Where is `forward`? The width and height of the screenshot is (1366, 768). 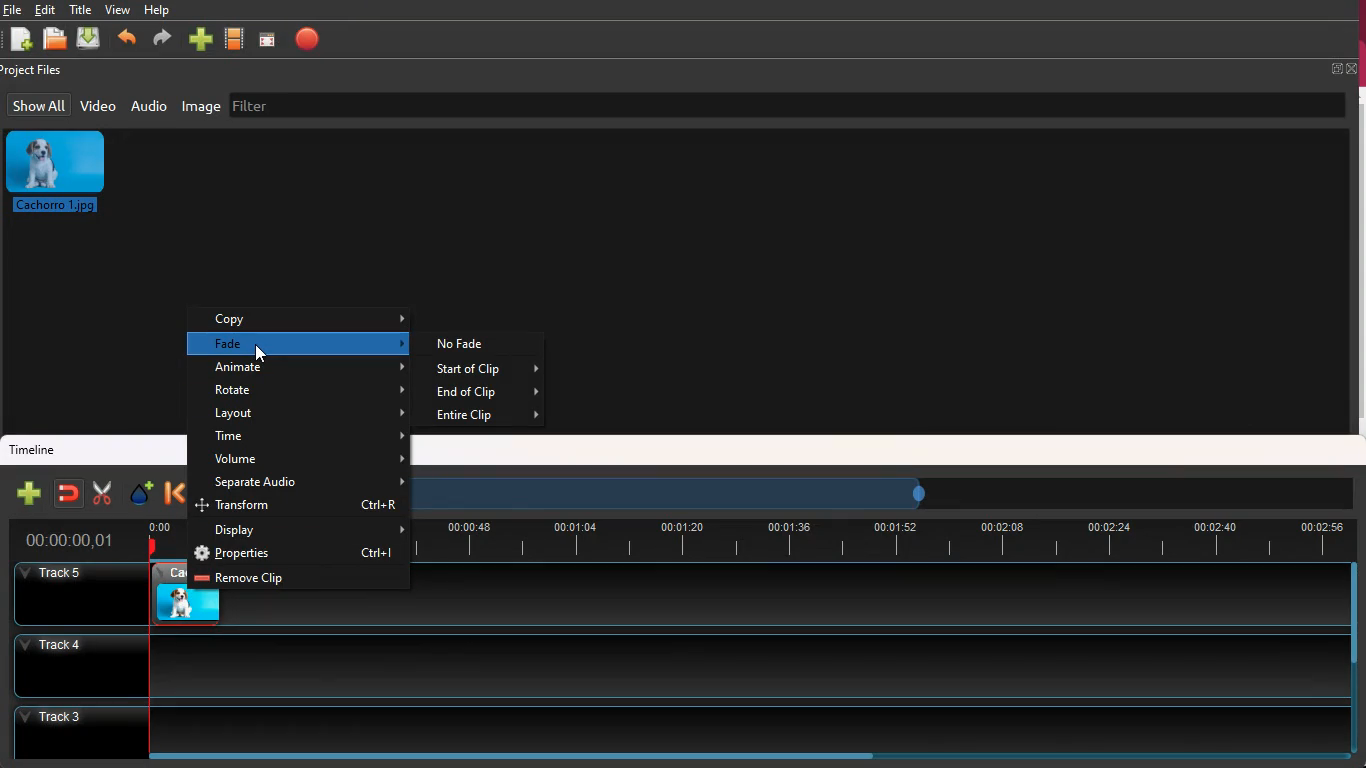 forward is located at coordinates (163, 40).